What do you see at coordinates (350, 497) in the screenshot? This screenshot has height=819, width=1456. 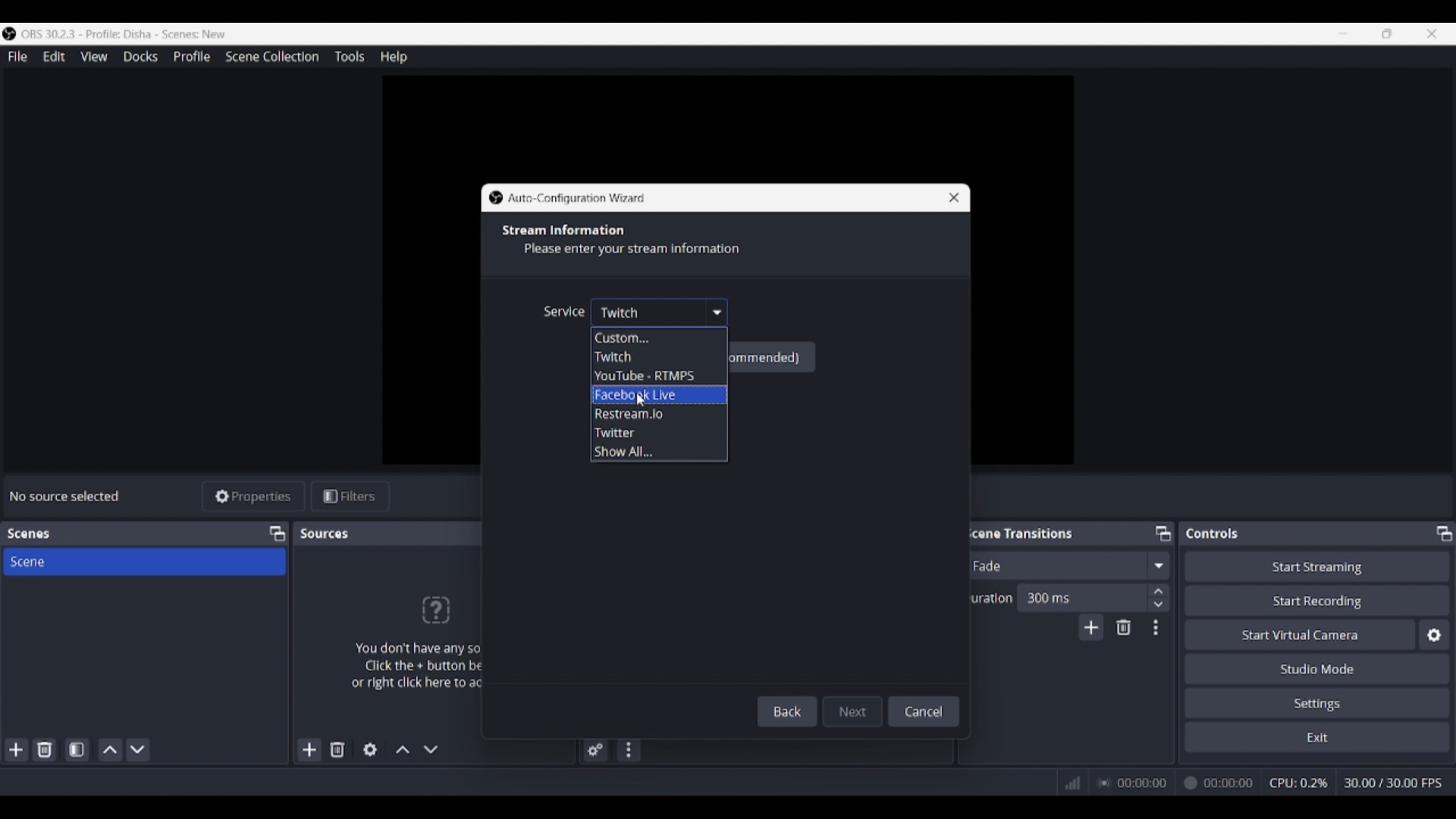 I see `Filters` at bounding box center [350, 497].